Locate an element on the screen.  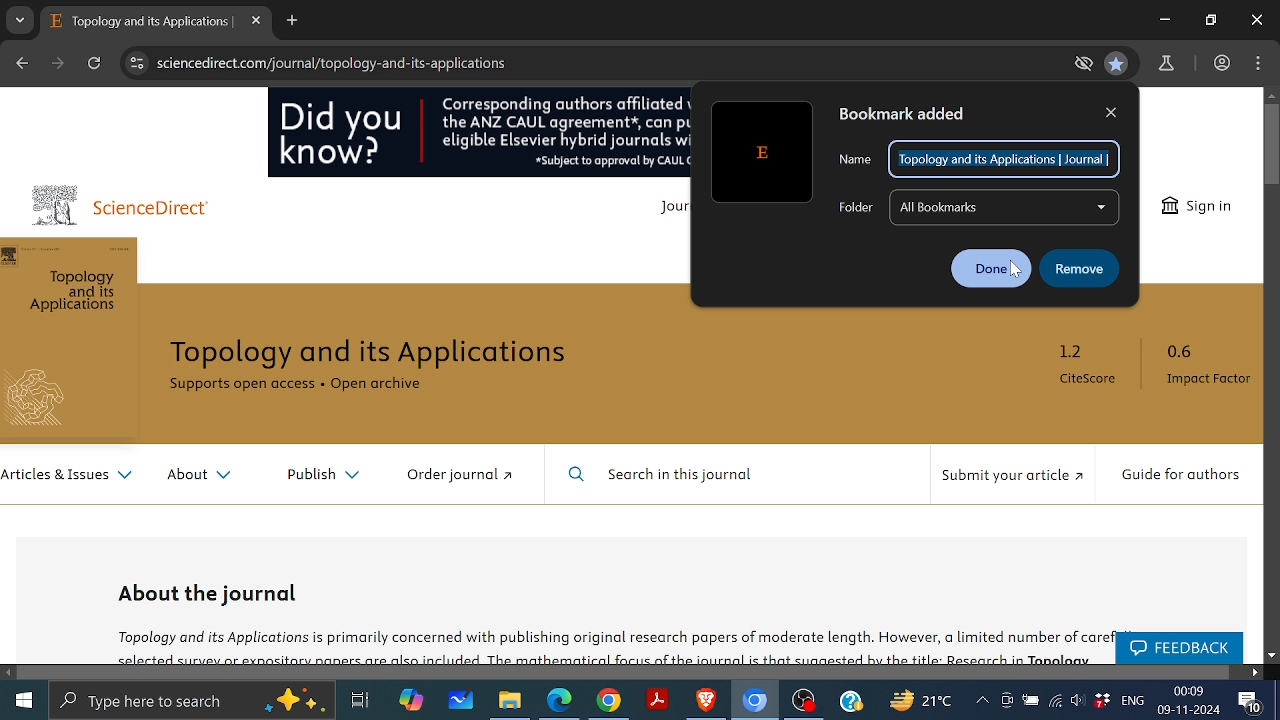
Site information is located at coordinates (134, 63).